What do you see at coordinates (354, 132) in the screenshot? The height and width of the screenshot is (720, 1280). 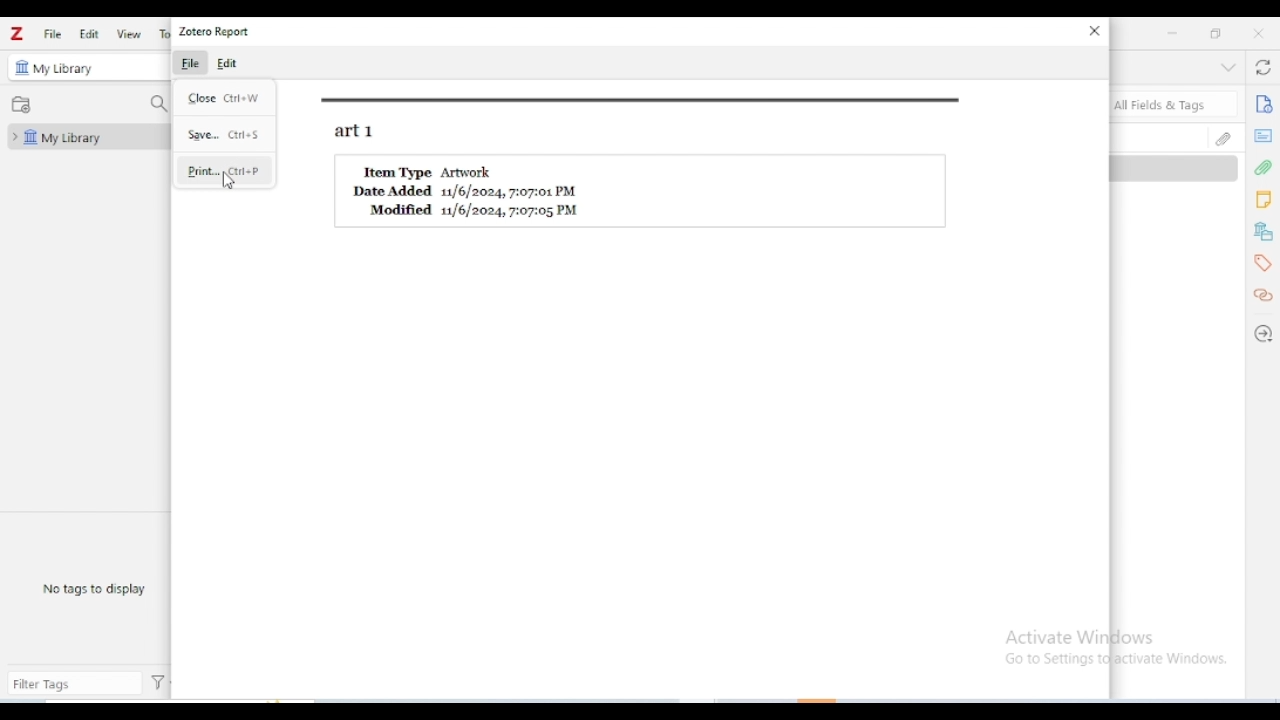 I see `art1` at bounding box center [354, 132].